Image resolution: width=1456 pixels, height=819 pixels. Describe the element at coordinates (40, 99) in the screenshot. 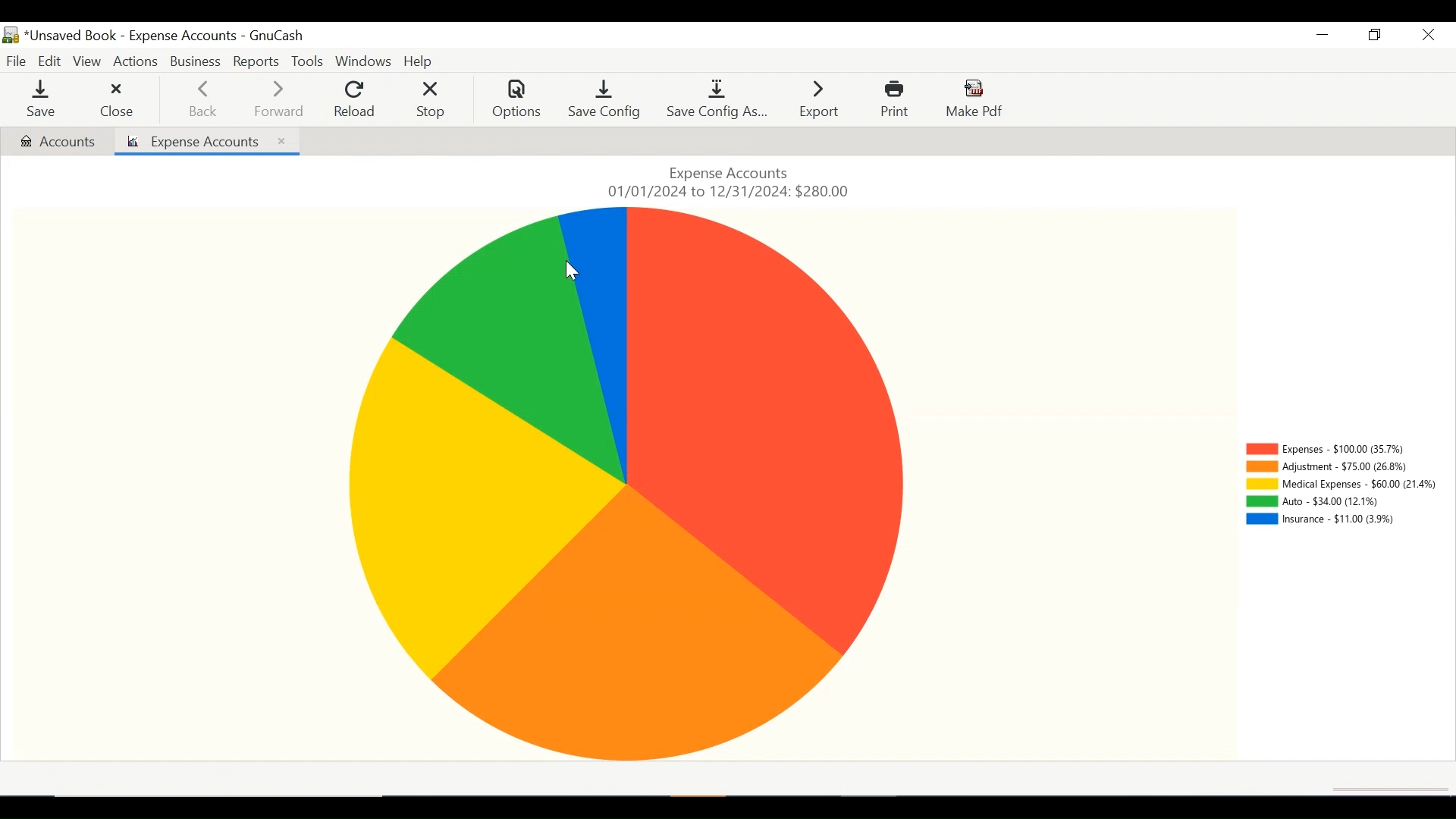

I see `Save` at that location.